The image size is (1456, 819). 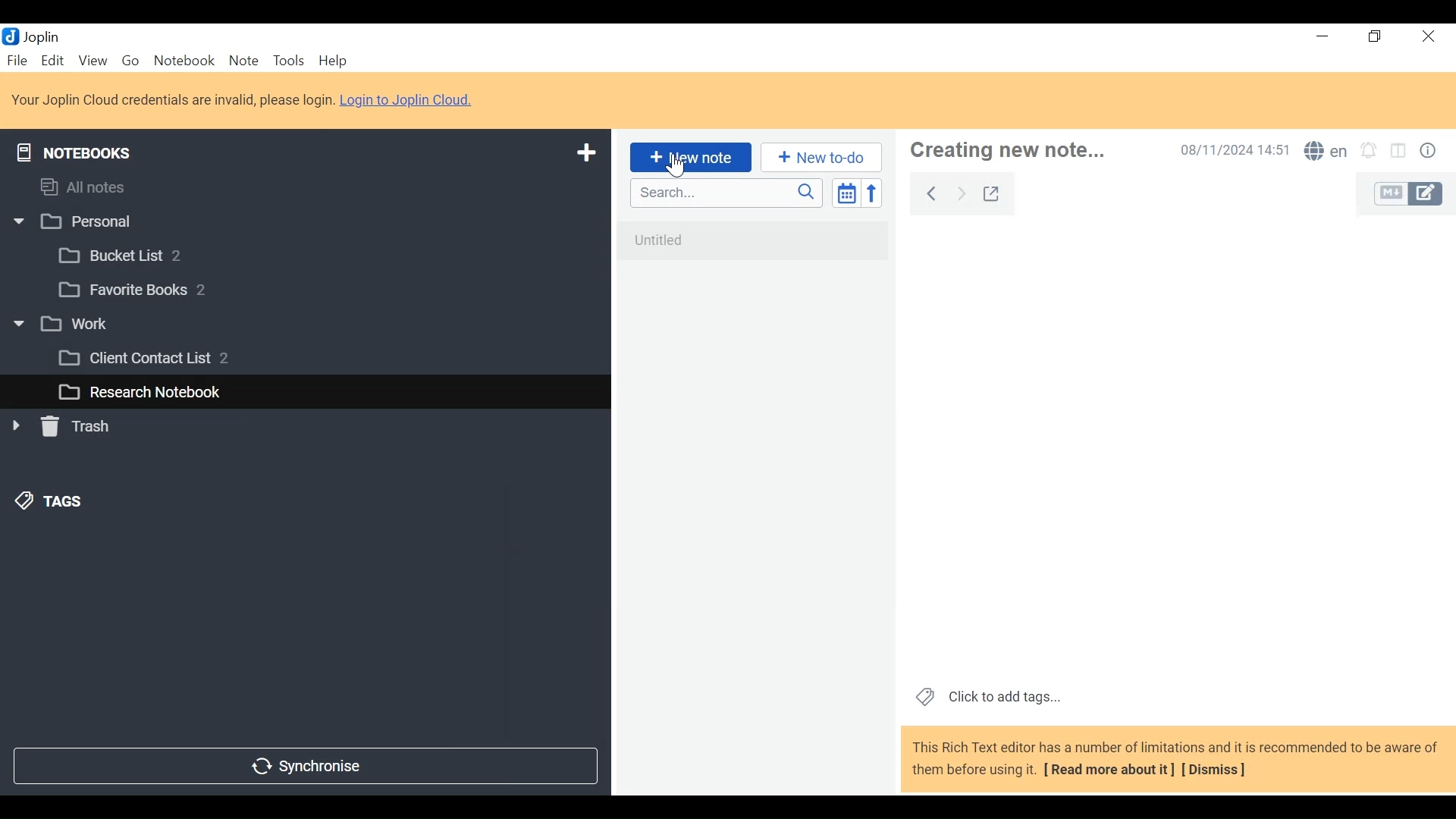 I want to click on w |] Personal, so click(x=81, y=223).